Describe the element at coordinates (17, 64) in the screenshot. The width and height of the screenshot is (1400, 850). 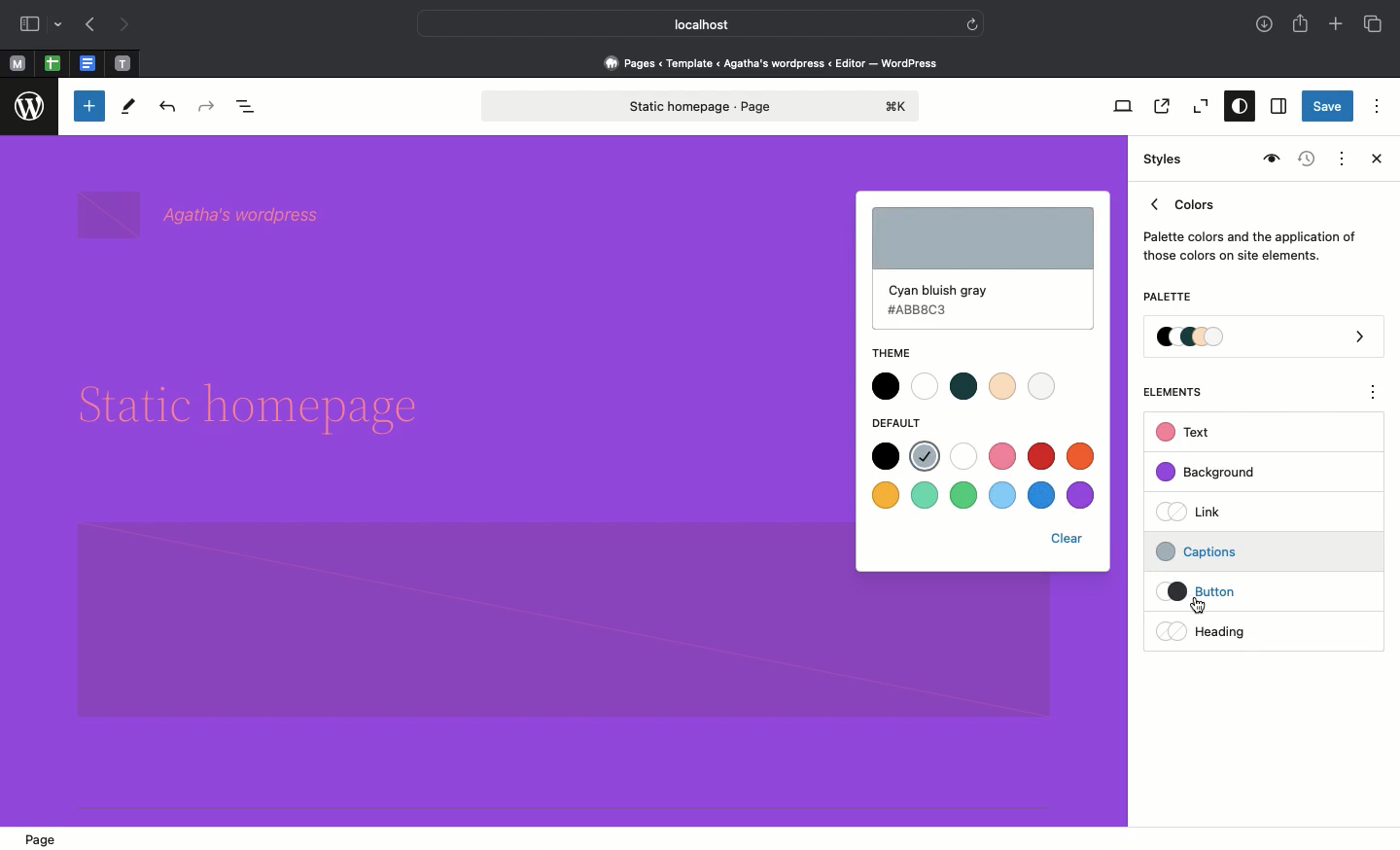
I see `Pinned tab` at that location.